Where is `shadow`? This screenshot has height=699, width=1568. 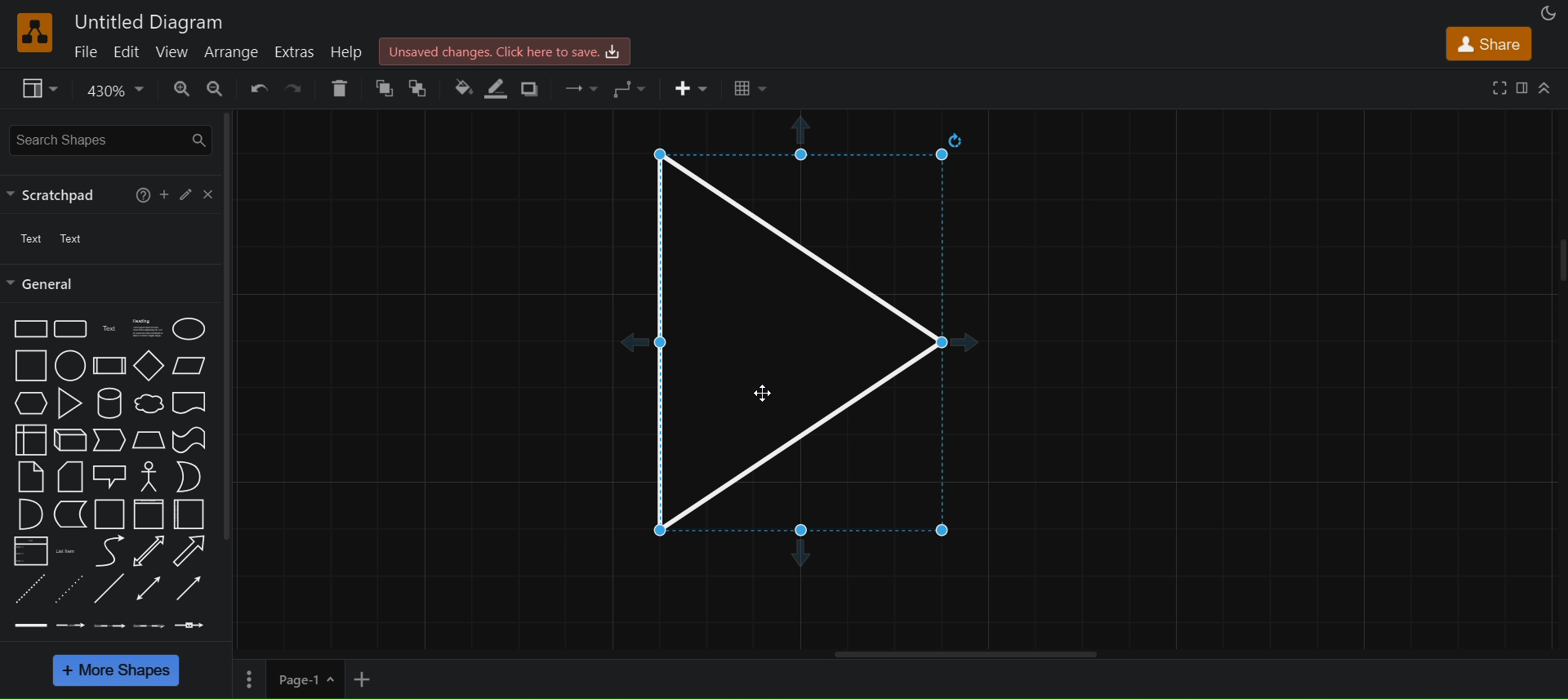
shadow is located at coordinates (535, 89).